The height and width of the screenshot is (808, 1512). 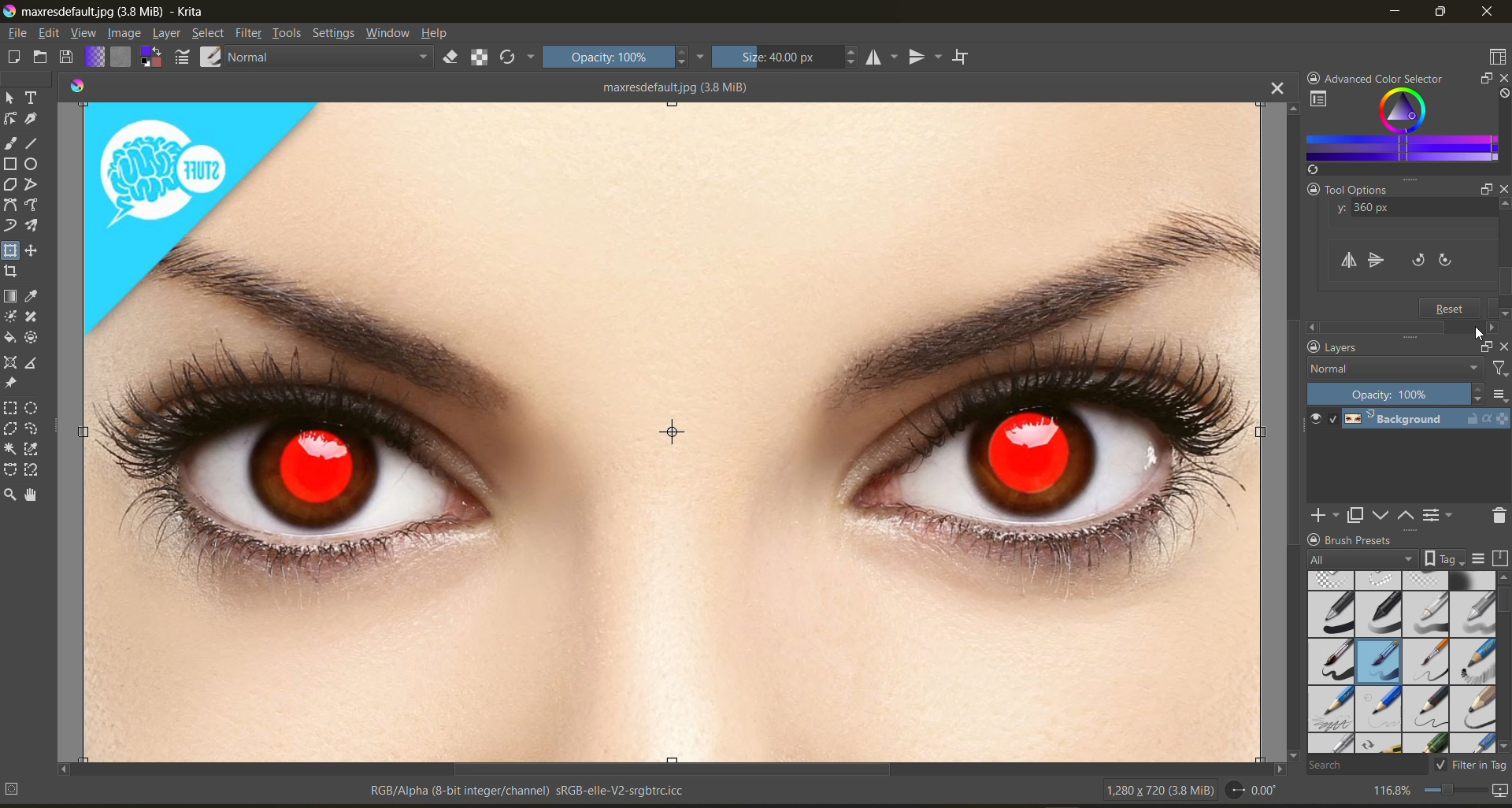 I want to click on close, so click(x=1503, y=343).